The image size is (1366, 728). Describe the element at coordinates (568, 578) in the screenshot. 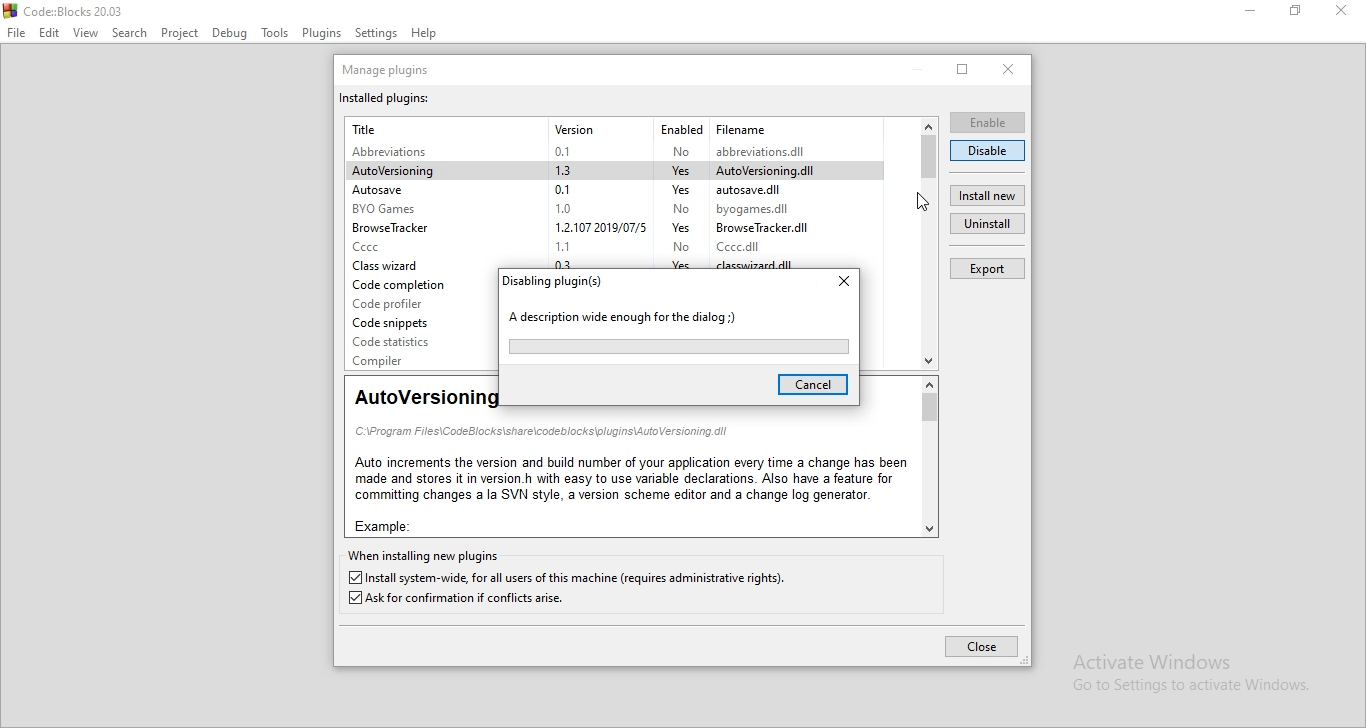

I see `Install system-wide, for all users of this machine (requires administrative rights).` at that location.